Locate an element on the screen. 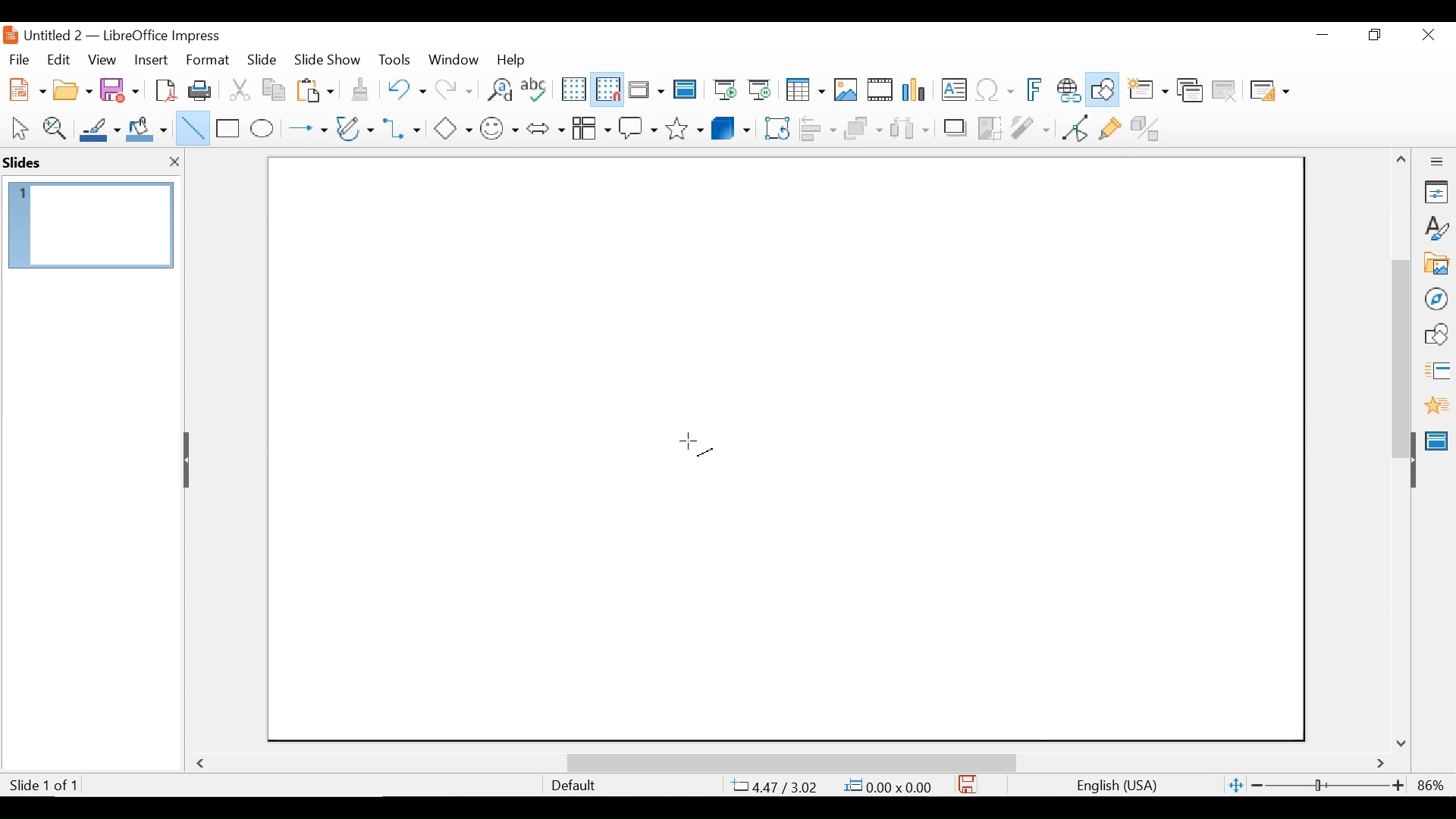 The width and height of the screenshot is (1456, 819). Insert Line is located at coordinates (194, 129).